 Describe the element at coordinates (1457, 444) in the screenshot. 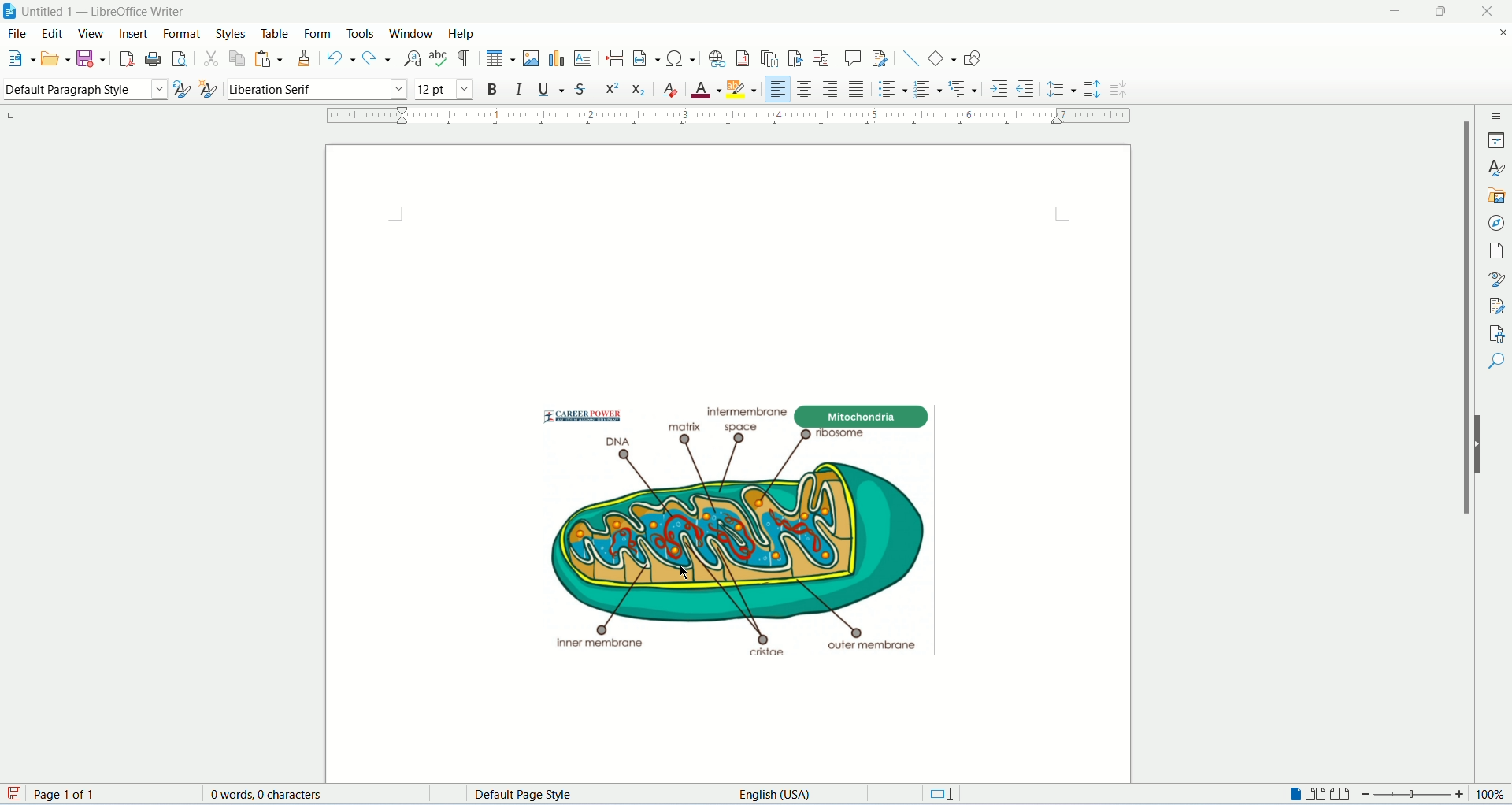

I see `vertical scroll bar` at that location.